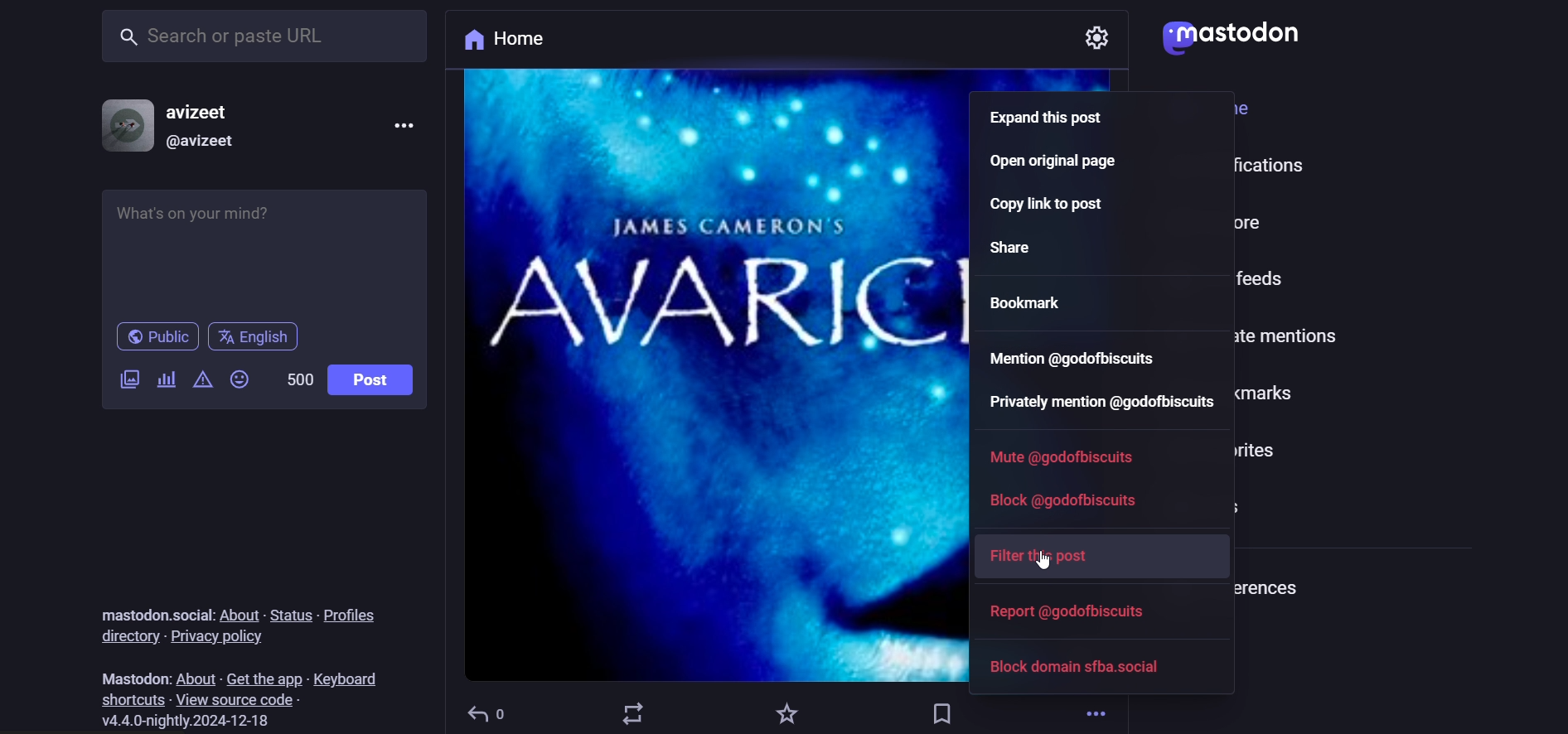 This screenshot has height=734, width=1568. What do you see at coordinates (258, 249) in the screenshot?
I see `post here` at bounding box center [258, 249].